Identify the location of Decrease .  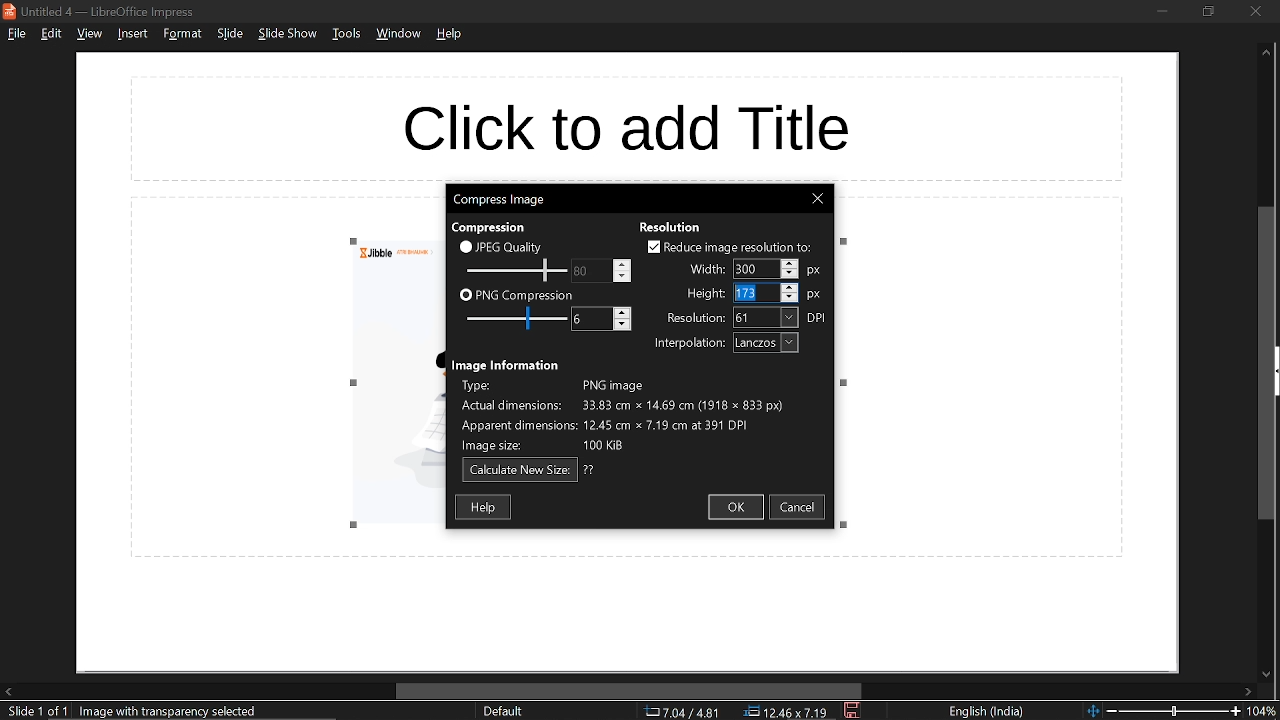
(623, 326).